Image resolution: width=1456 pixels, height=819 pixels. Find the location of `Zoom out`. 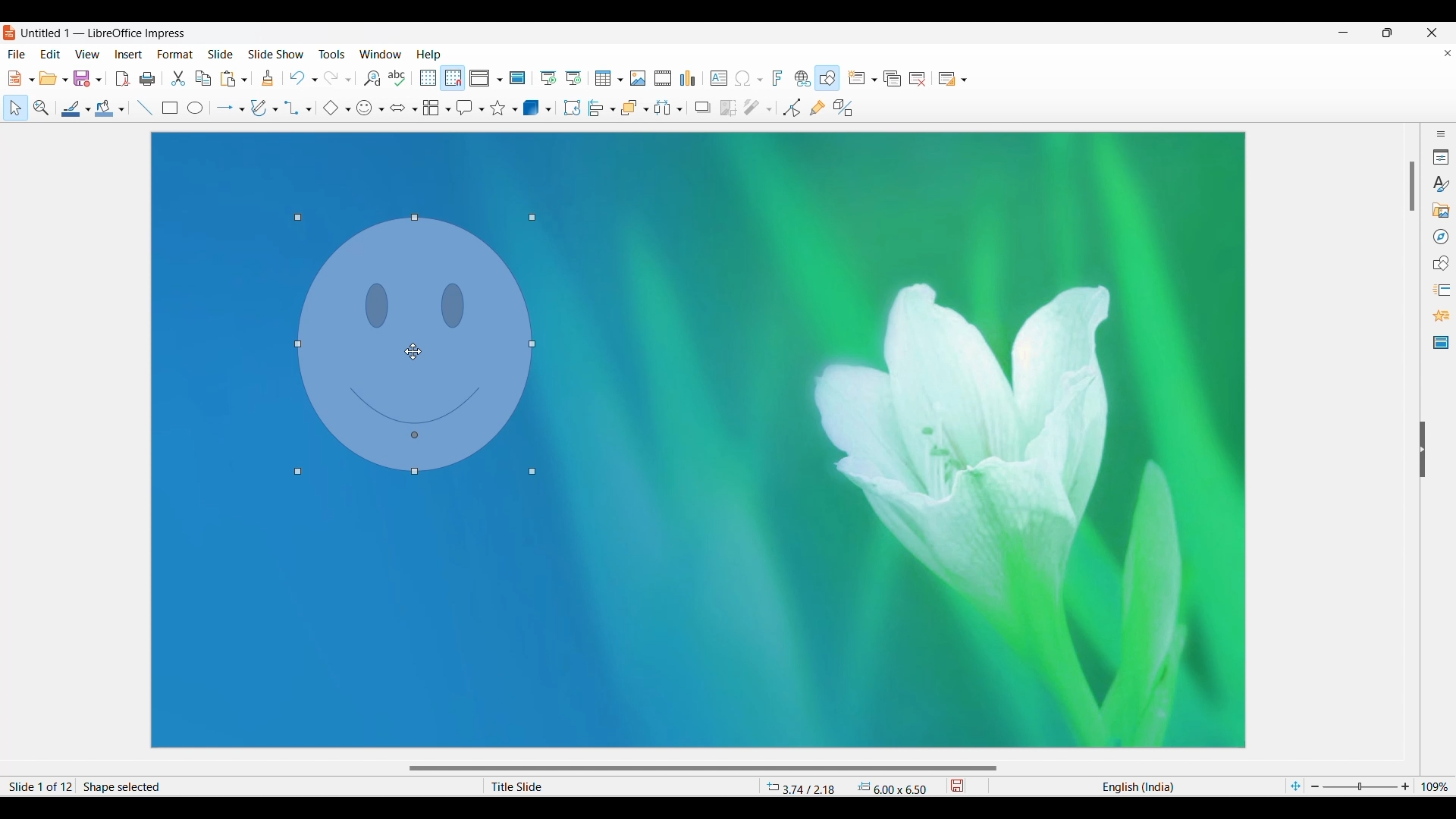

Zoom out is located at coordinates (1315, 786).